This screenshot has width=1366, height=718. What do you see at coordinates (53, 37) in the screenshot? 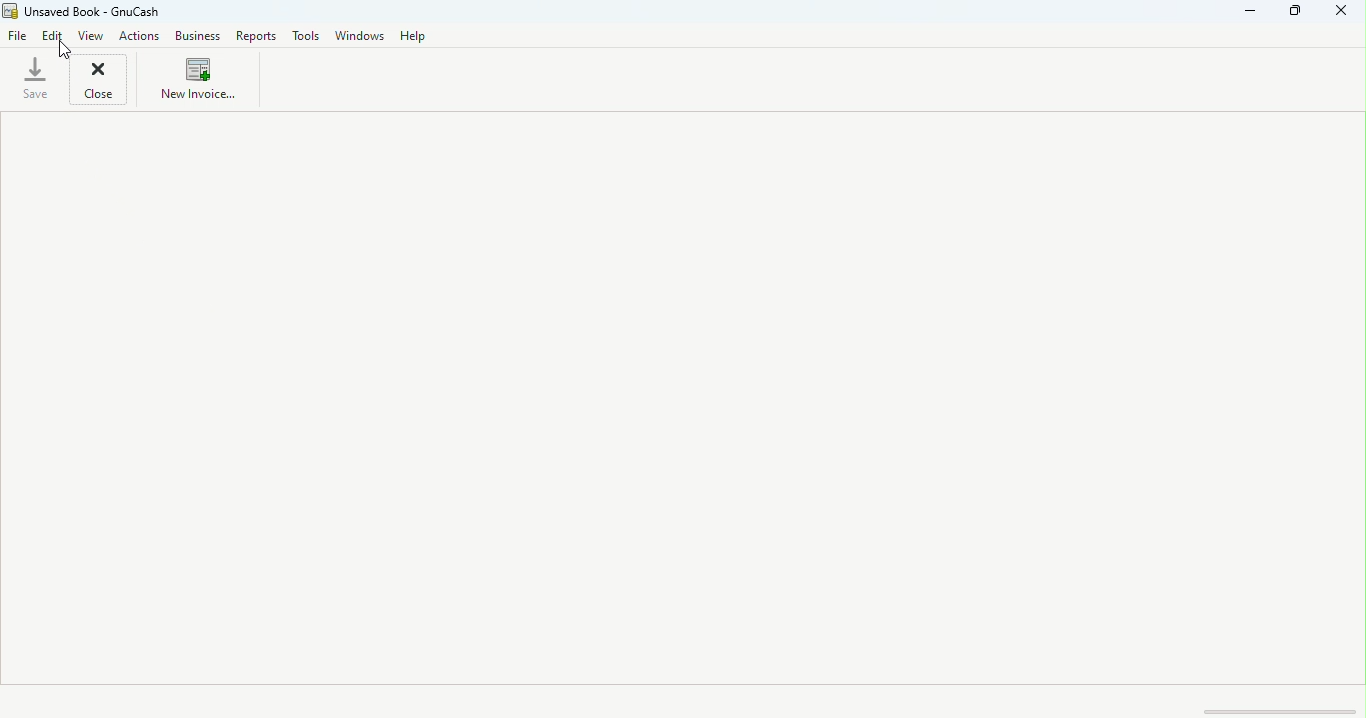
I see `Edit` at bounding box center [53, 37].